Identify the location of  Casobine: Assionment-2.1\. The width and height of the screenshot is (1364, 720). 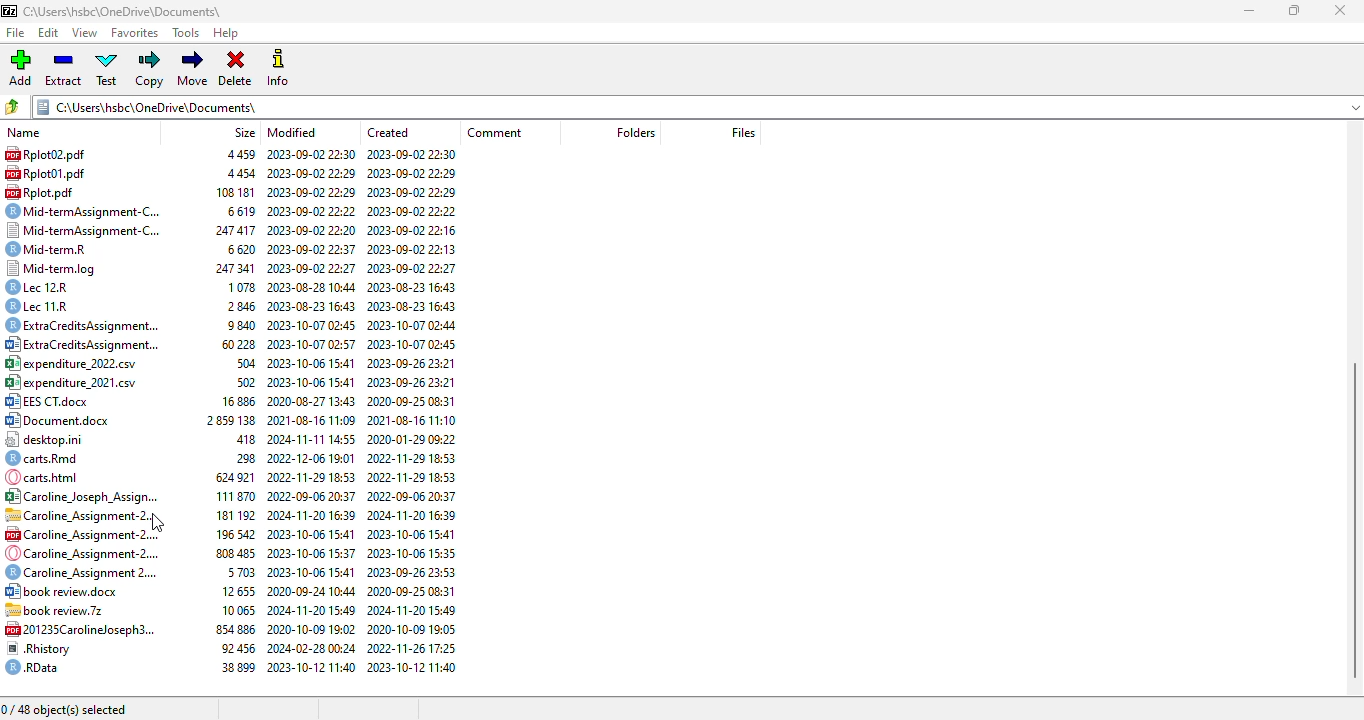
(76, 516).